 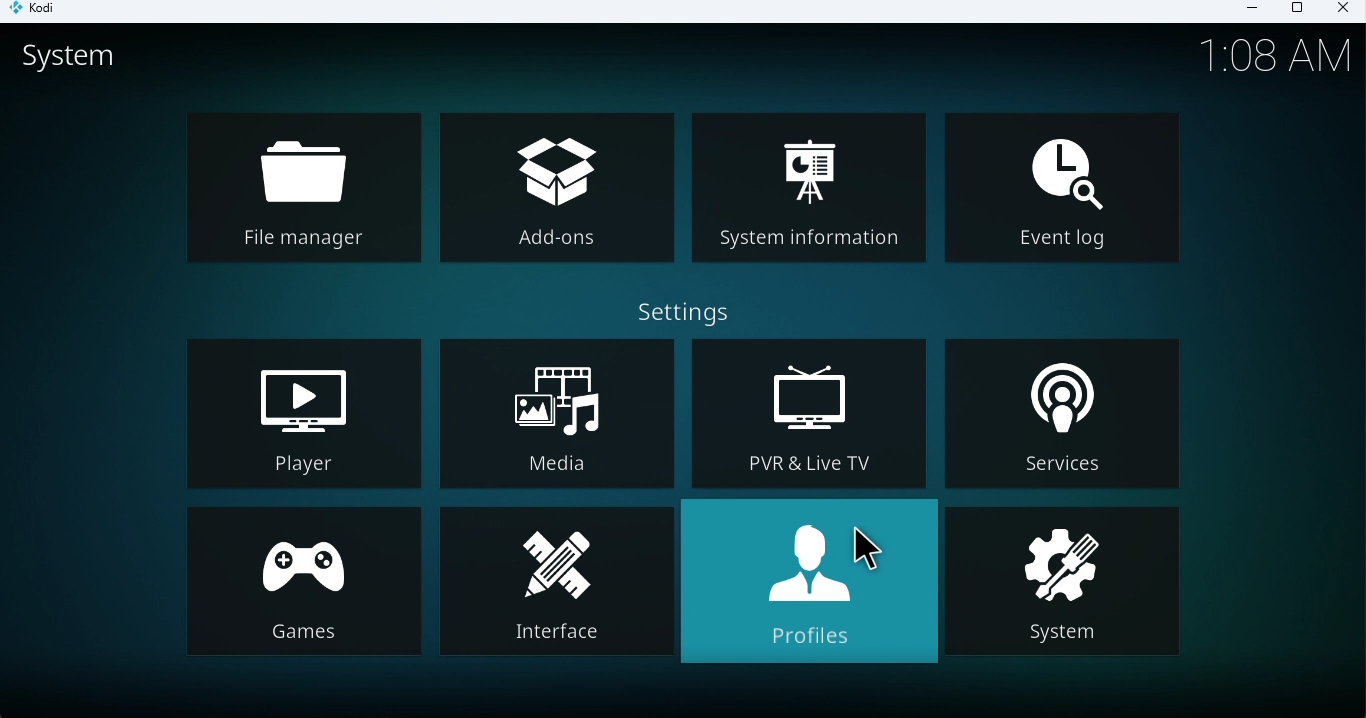 I want to click on Maximize, so click(x=1296, y=12).